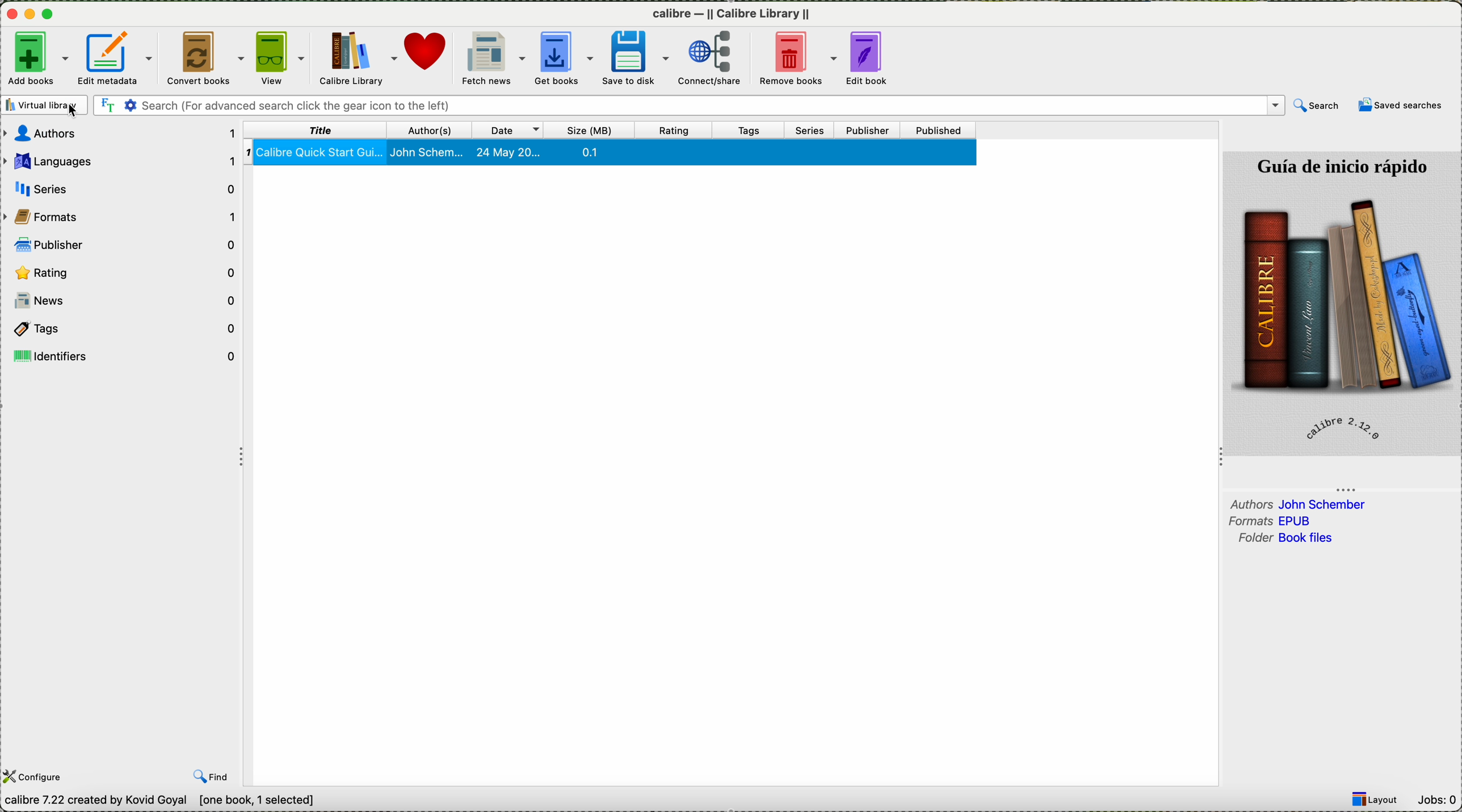 This screenshot has width=1462, height=812. Describe the element at coordinates (120, 161) in the screenshot. I see `languages` at that location.